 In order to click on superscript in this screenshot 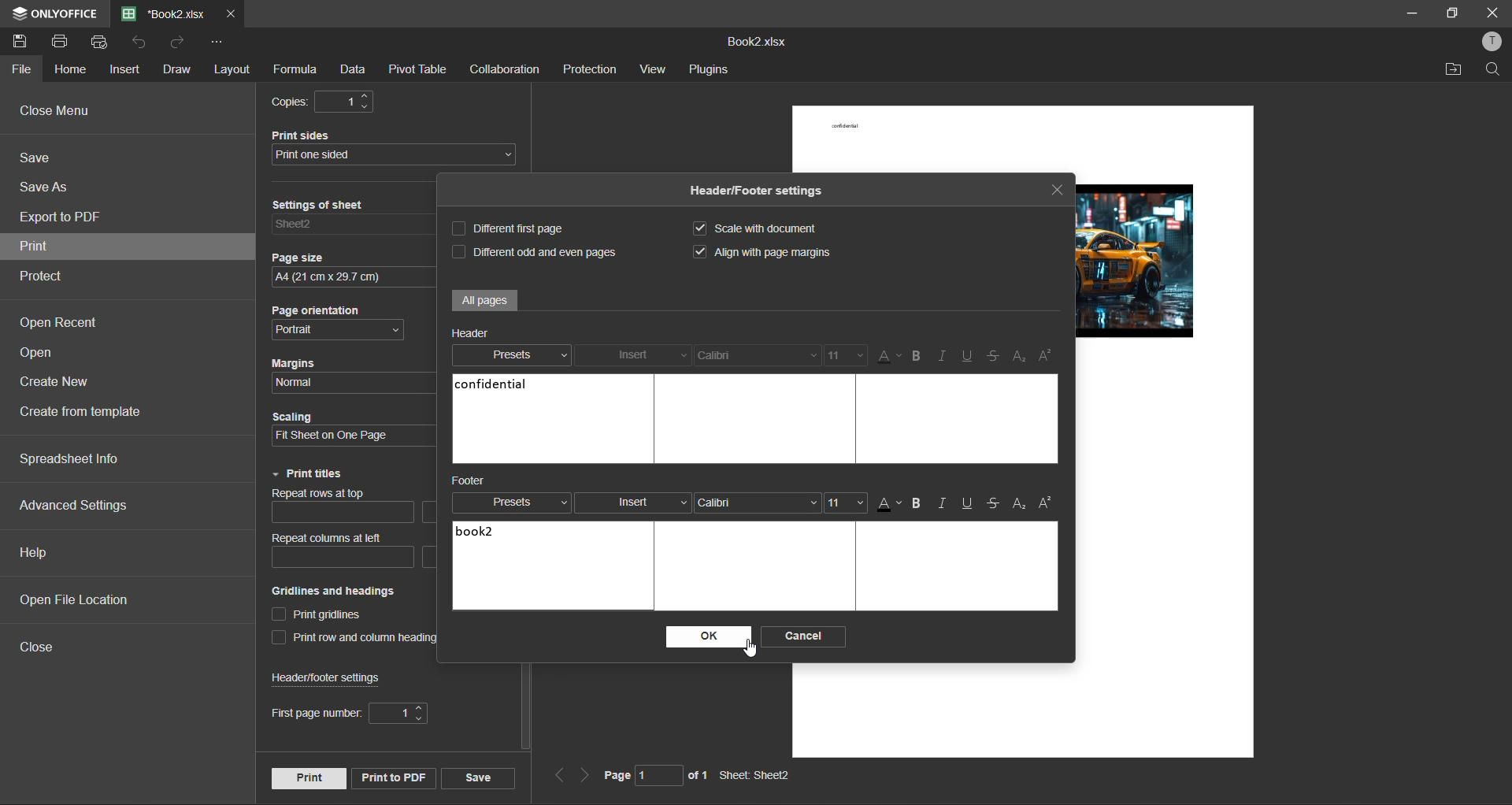, I will do `click(1049, 357)`.